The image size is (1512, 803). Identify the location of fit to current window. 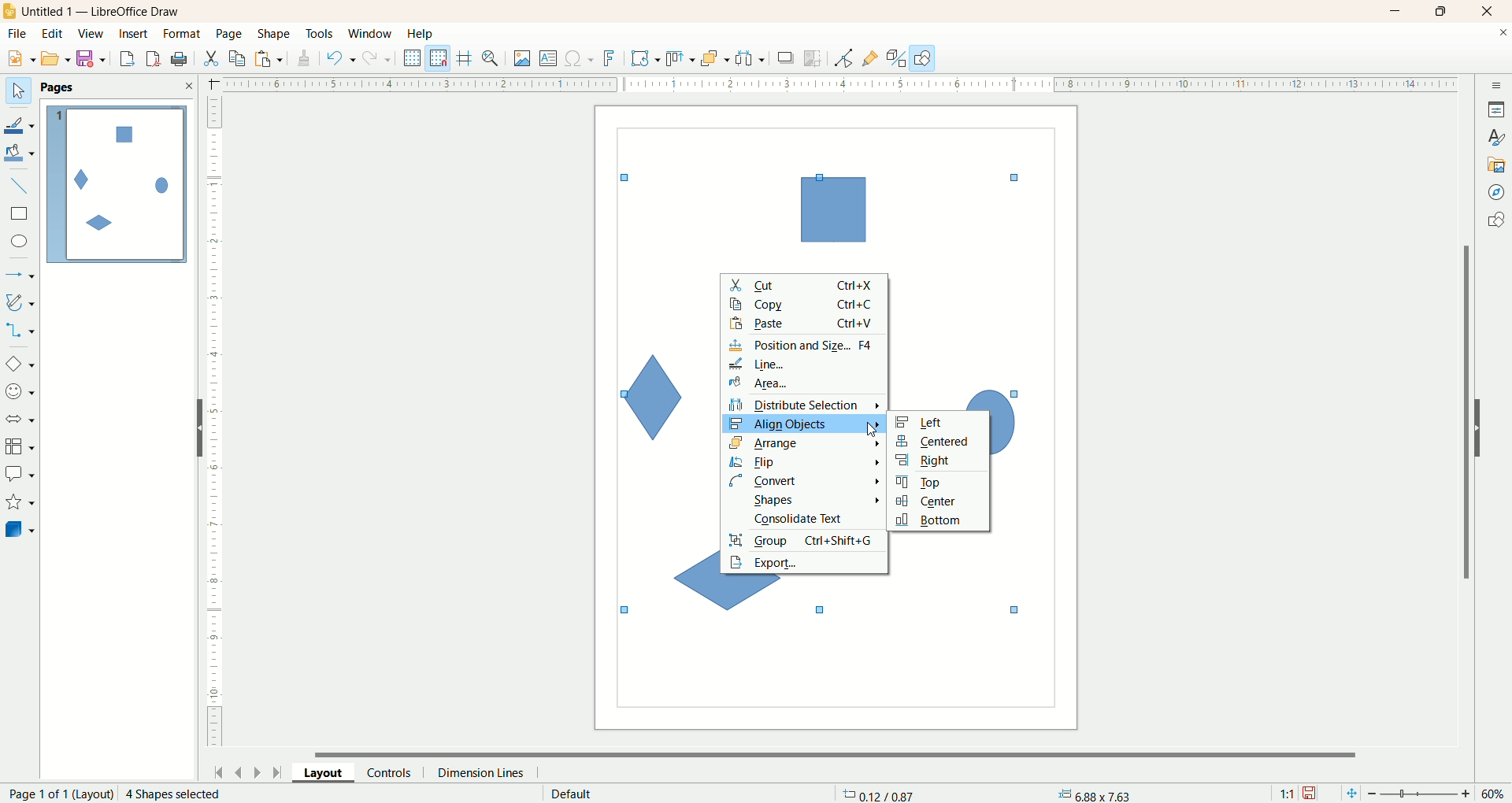
(1350, 794).